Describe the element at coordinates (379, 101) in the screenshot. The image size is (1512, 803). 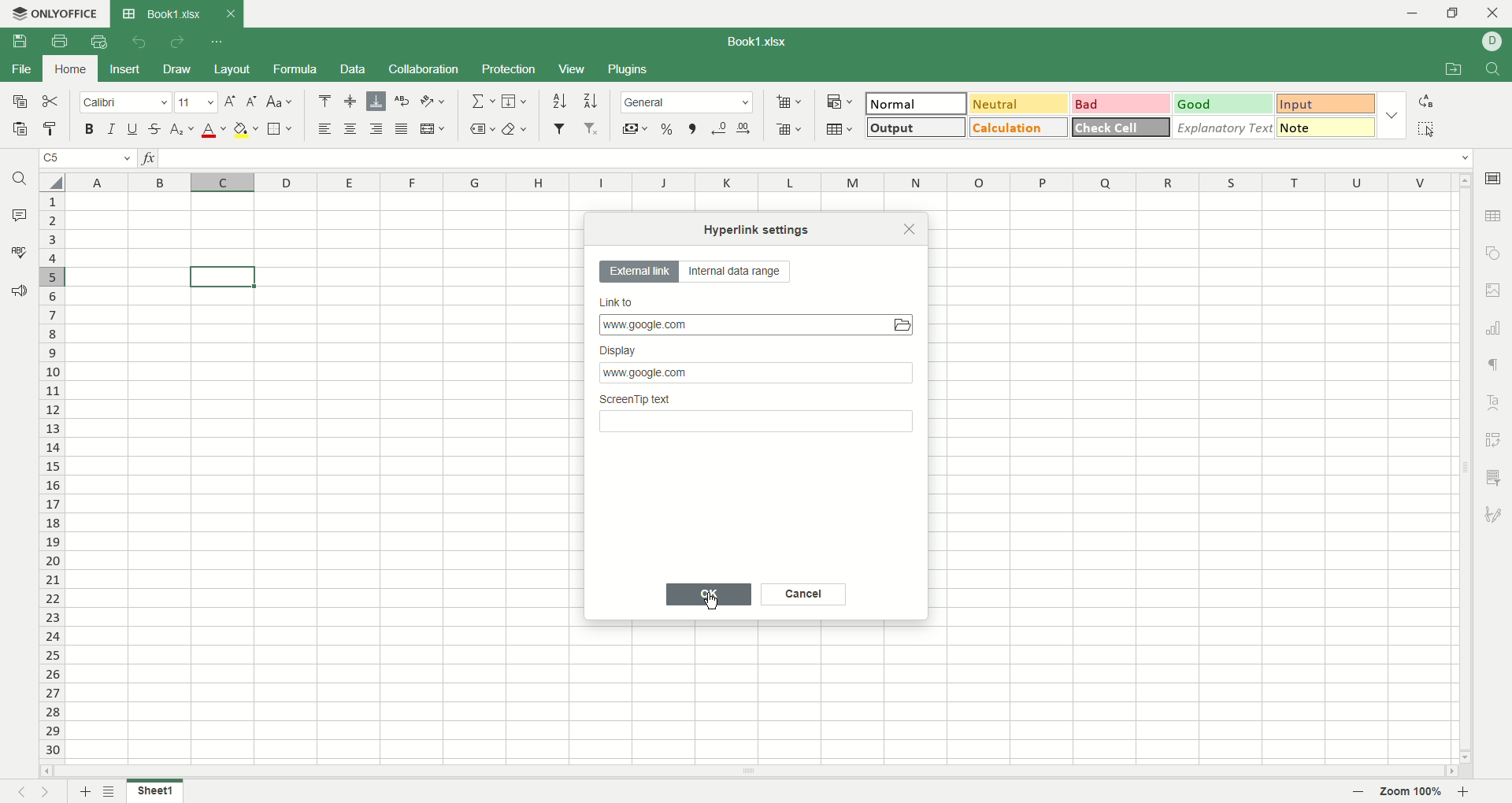
I see `align bottom` at that location.